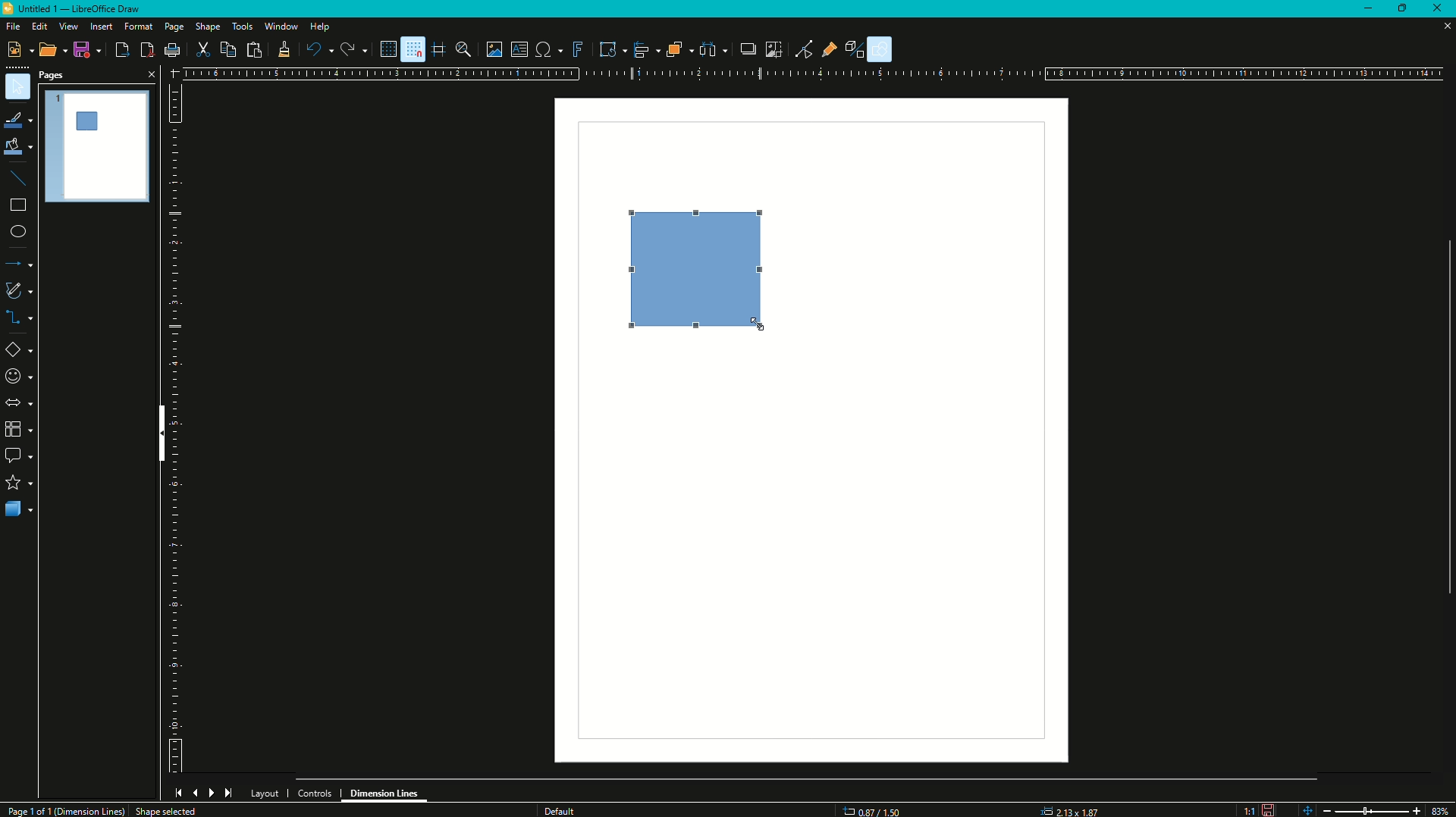 The width and height of the screenshot is (1456, 817). I want to click on Line Color, so click(18, 119).